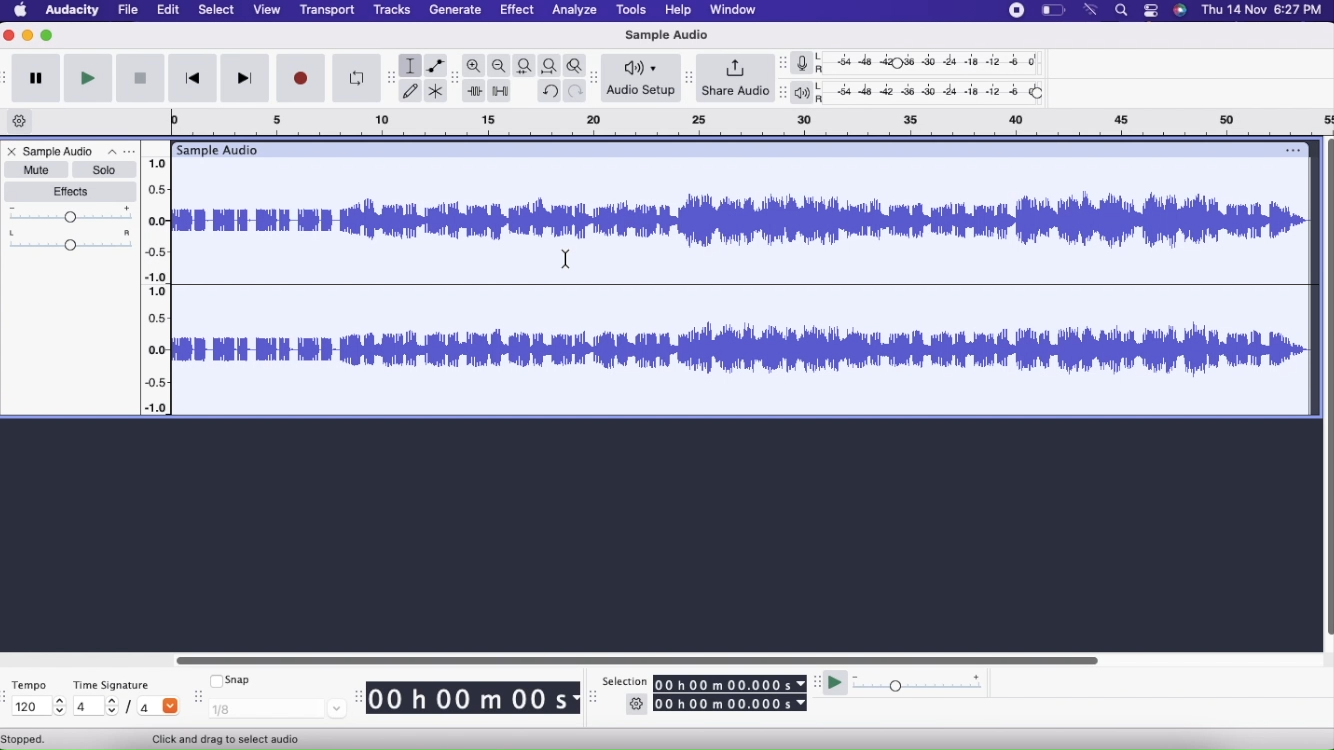  I want to click on Playback meter, so click(807, 92).